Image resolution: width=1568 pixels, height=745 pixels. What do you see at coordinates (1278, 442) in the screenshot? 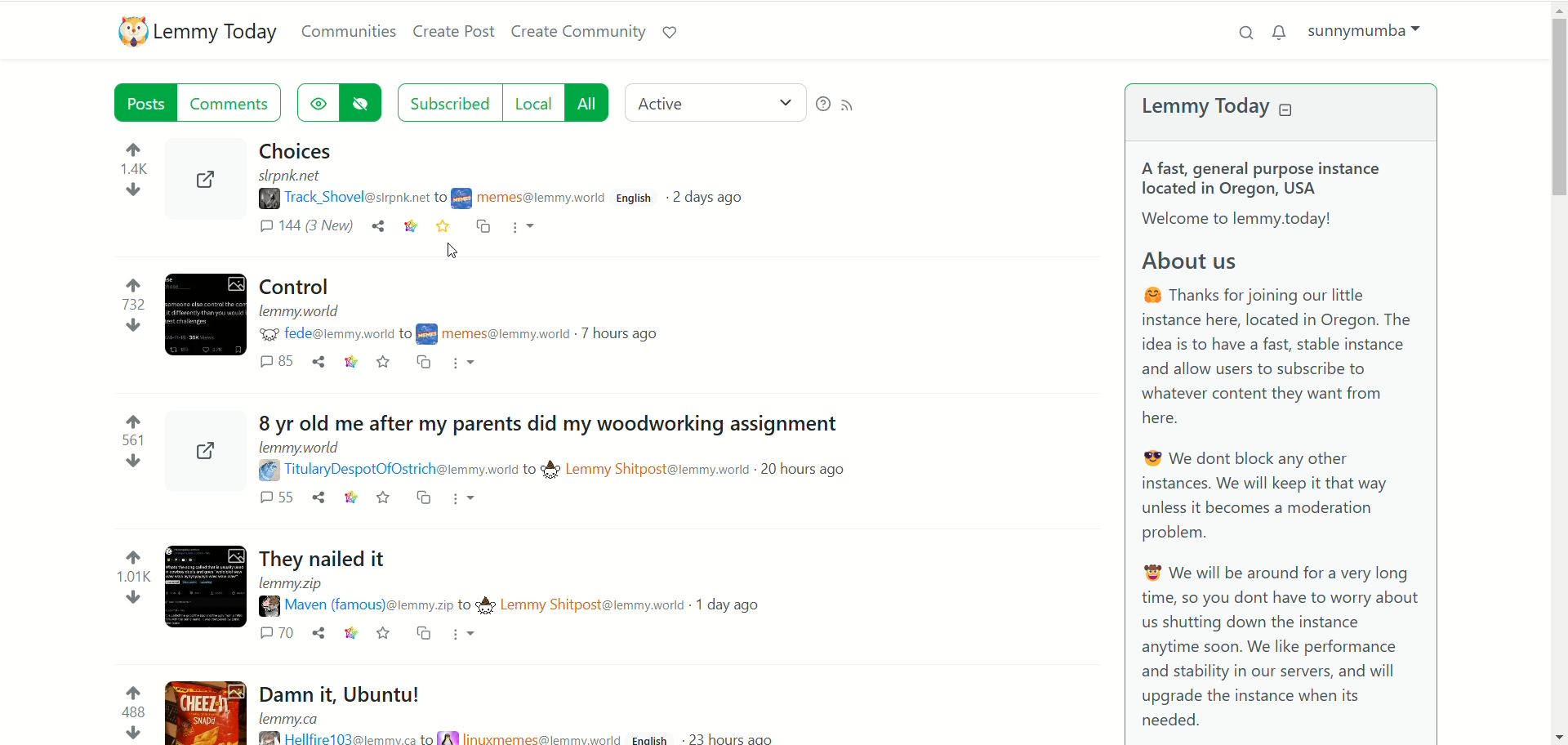
I see `A brief about Lemmy Today` at bounding box center [1278, 442].